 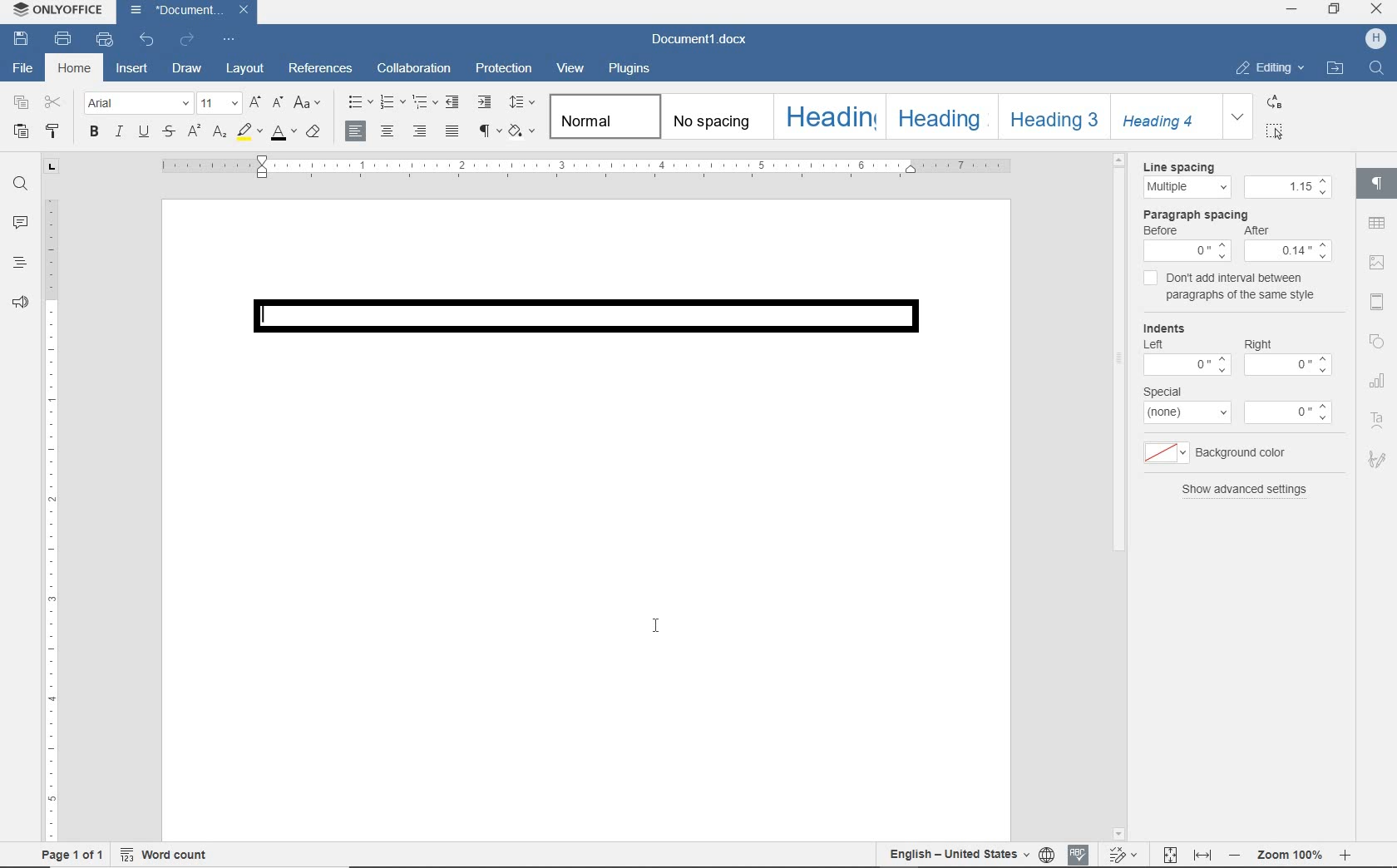 I want to click on feedback & support, so click(x=17, y=301).